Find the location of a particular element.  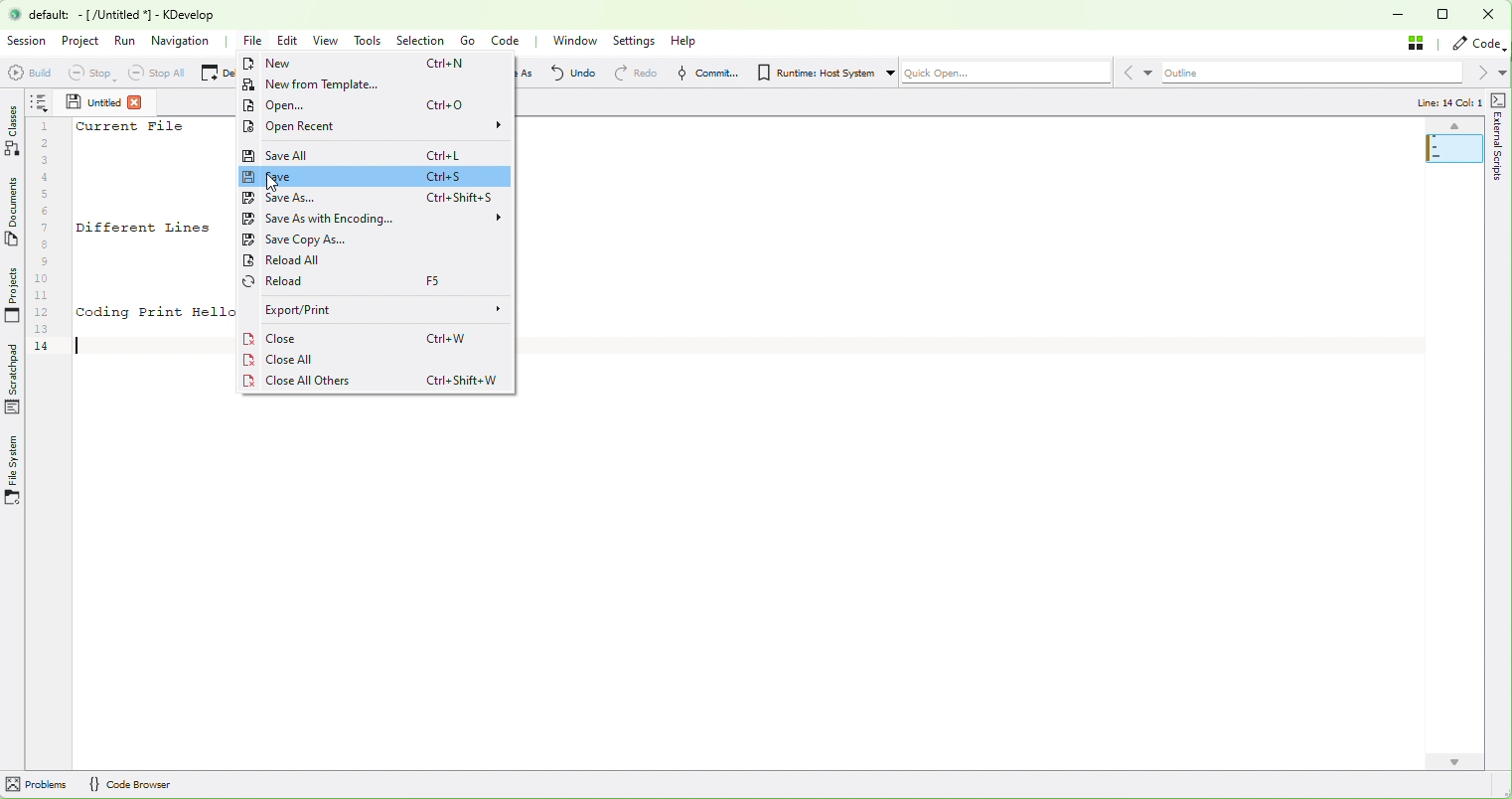

external scripts is located at coordinates (1497, 183).